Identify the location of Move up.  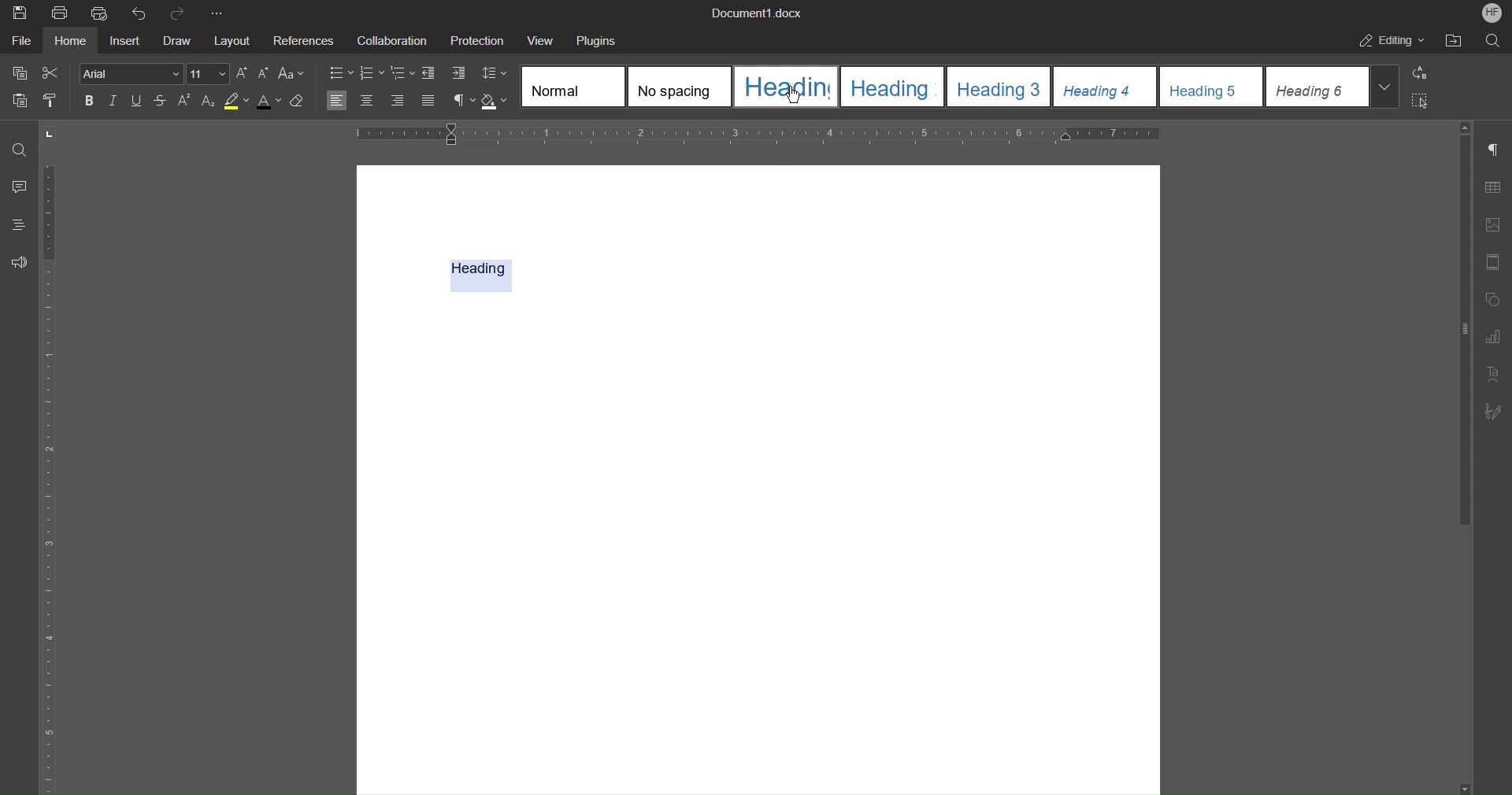
(1466, 128).